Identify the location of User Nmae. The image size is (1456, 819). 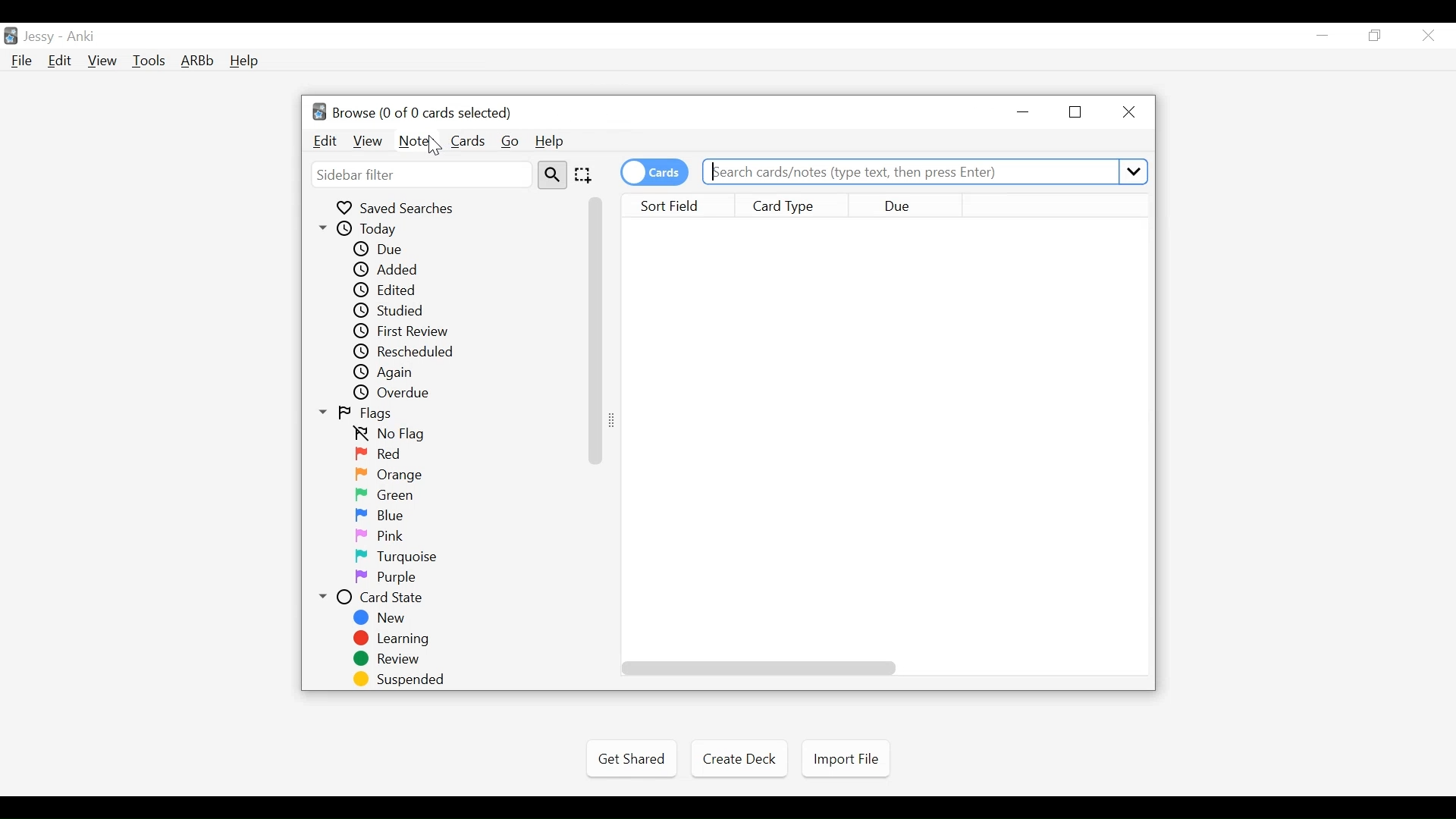
(42, 37).